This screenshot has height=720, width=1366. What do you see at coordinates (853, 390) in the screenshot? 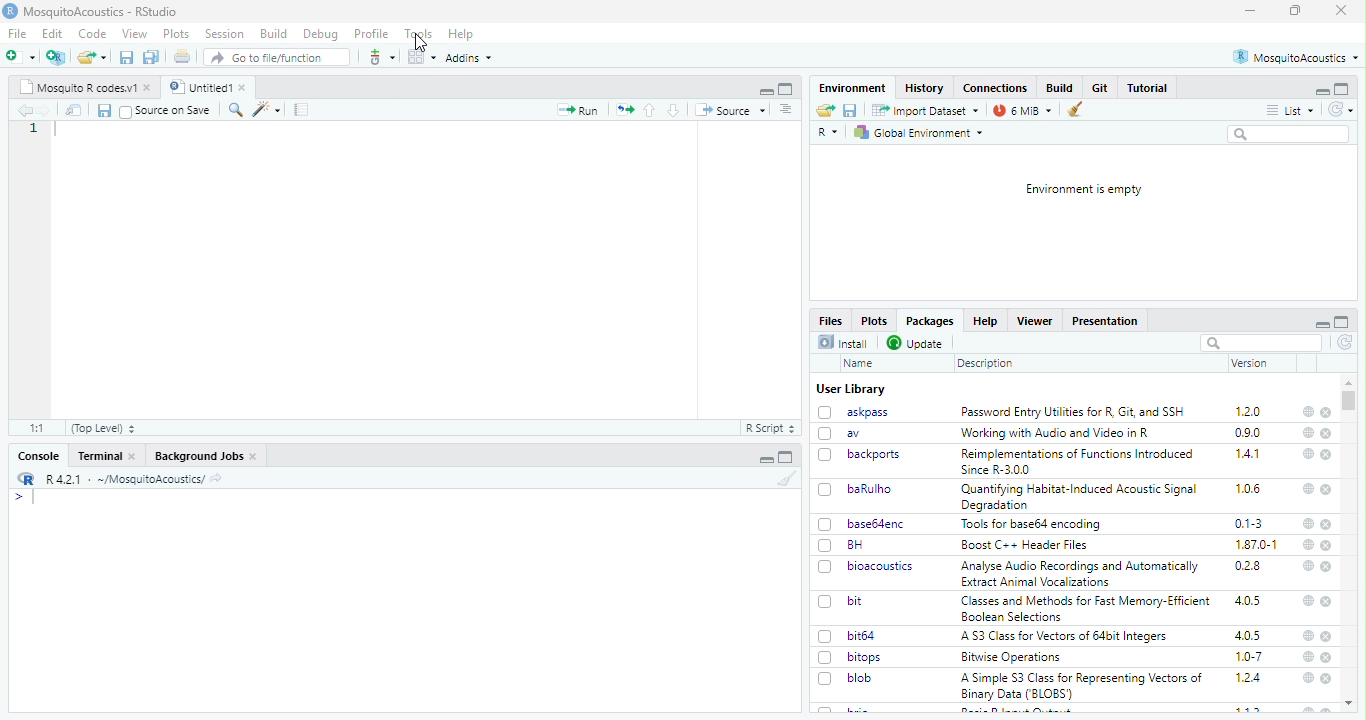
I see `User Library` at bounding box center [853, 390].